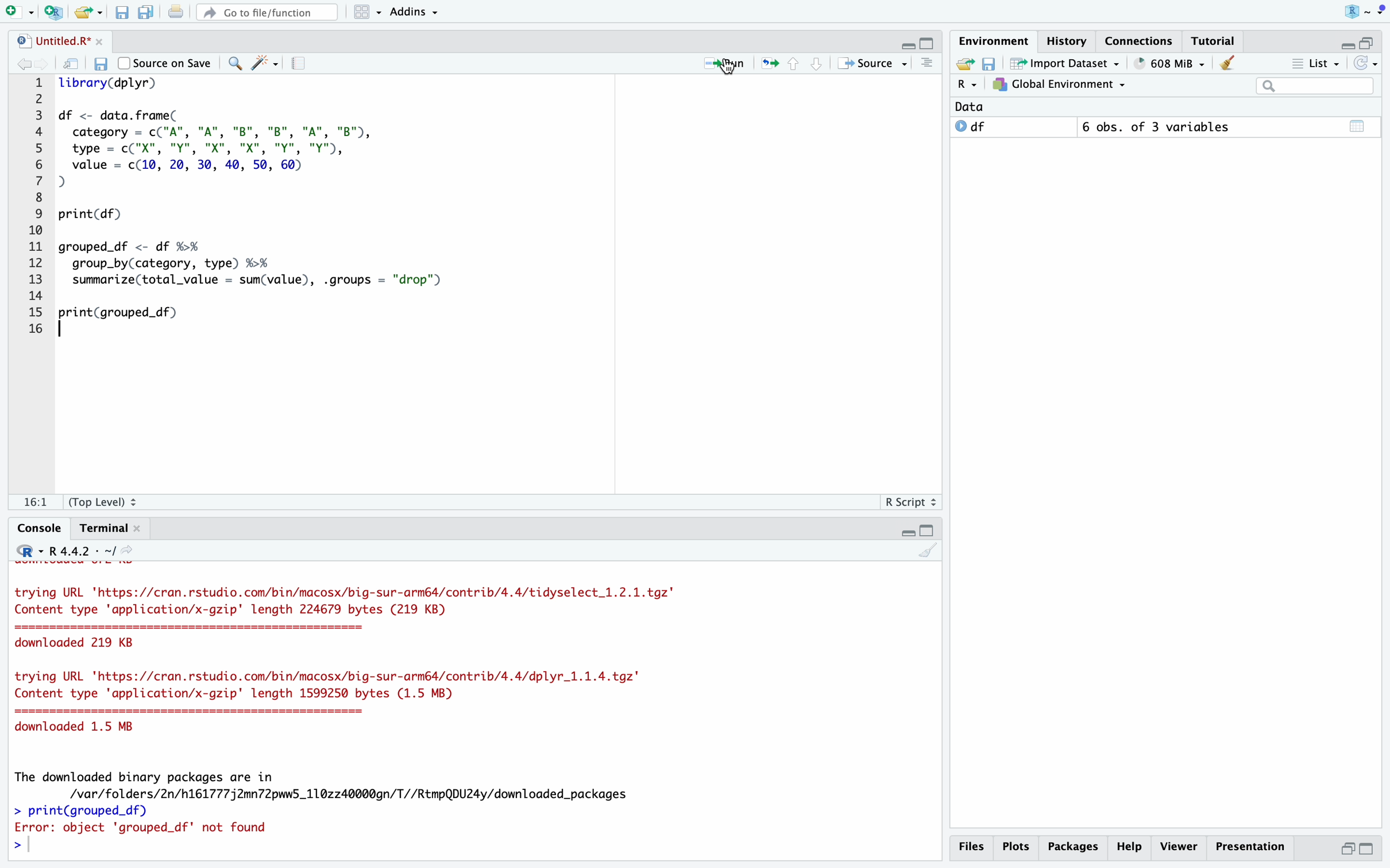 This screenshot has width=1390, height=868. Describe the element at coordinates (73, 64) in the screenshot. I see `Open in new window` at that location.